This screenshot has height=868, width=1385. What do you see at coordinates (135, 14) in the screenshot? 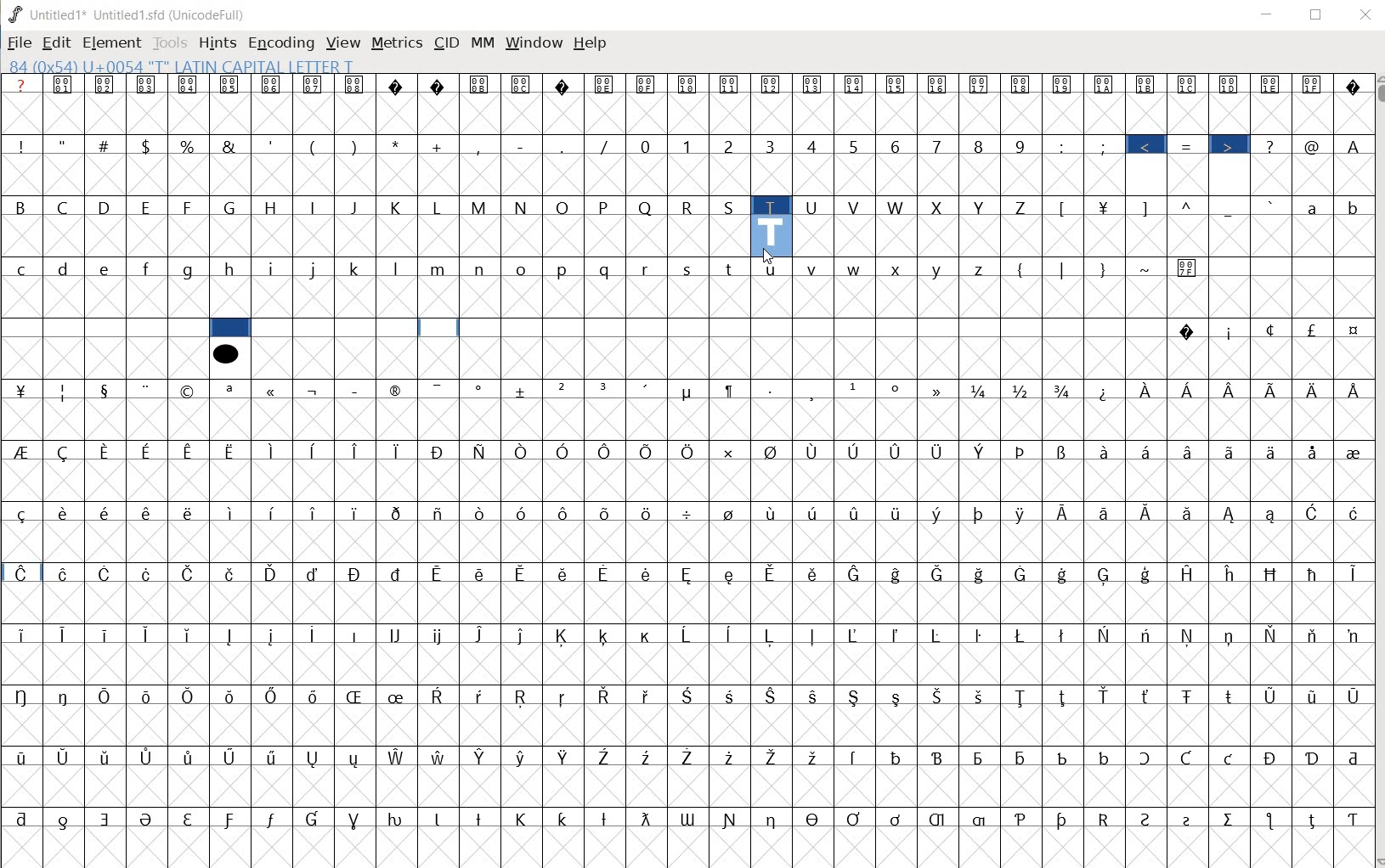
I see `Untitled1* Untitled 1.sfd (UnicodeFull)` at bounding box center [135, 14].